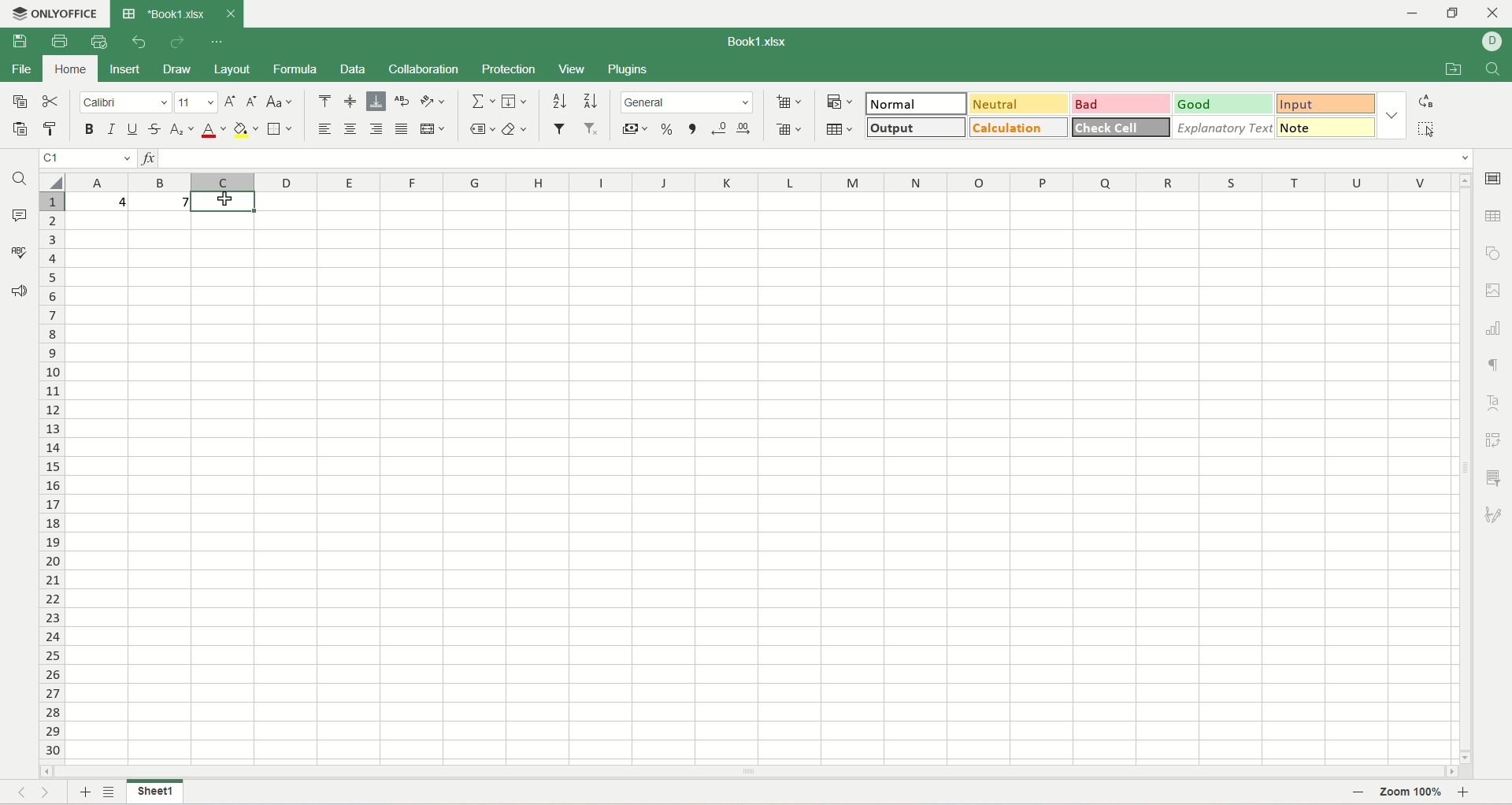 Image resolution: width=1512 pixels, height=805 pixels. What do you see at coordinates (747, 128) in the screenshot?
I see `increase decimal` at bounding box center [747, 128].